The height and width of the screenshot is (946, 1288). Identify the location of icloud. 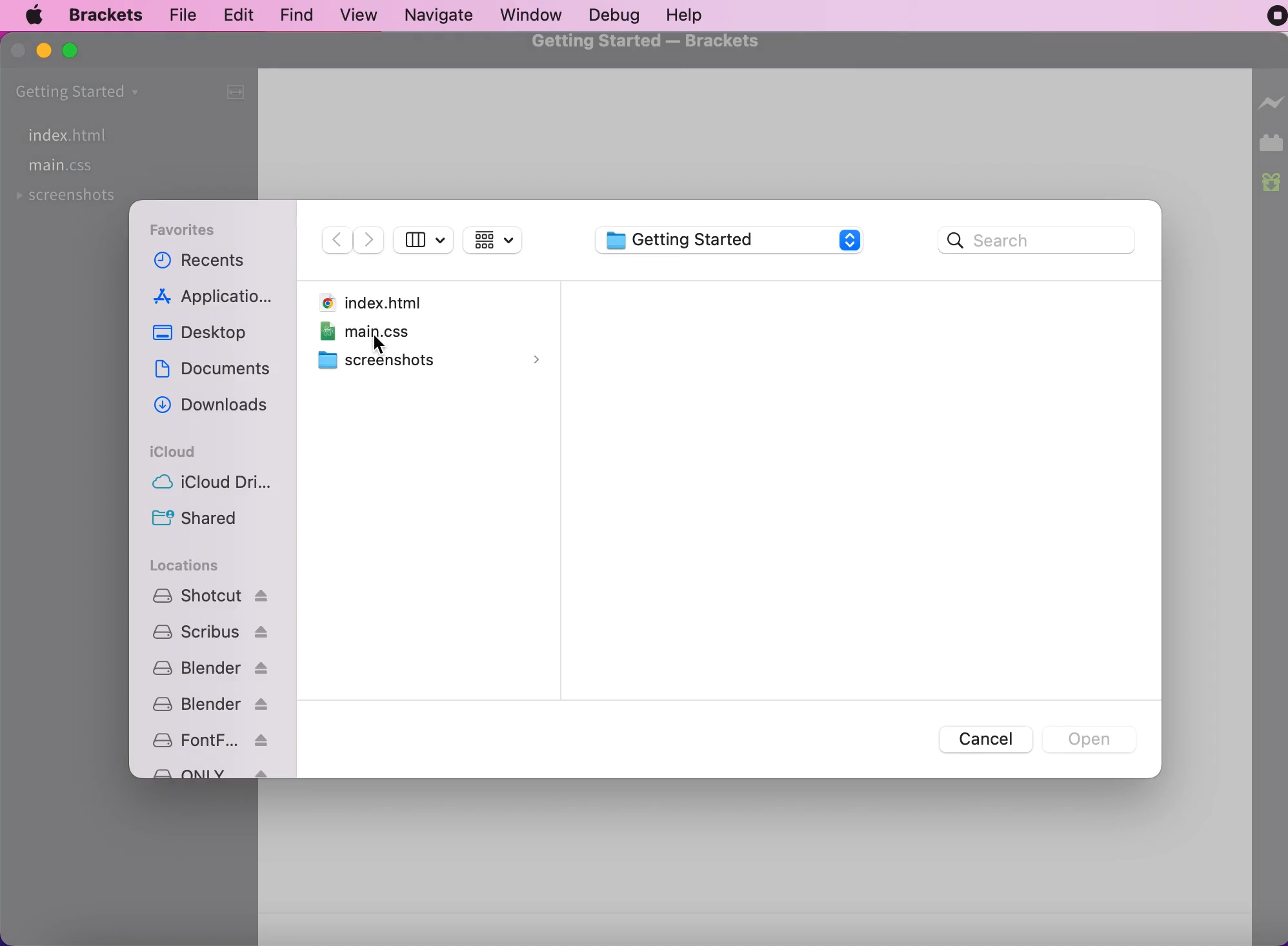
(176, 449).